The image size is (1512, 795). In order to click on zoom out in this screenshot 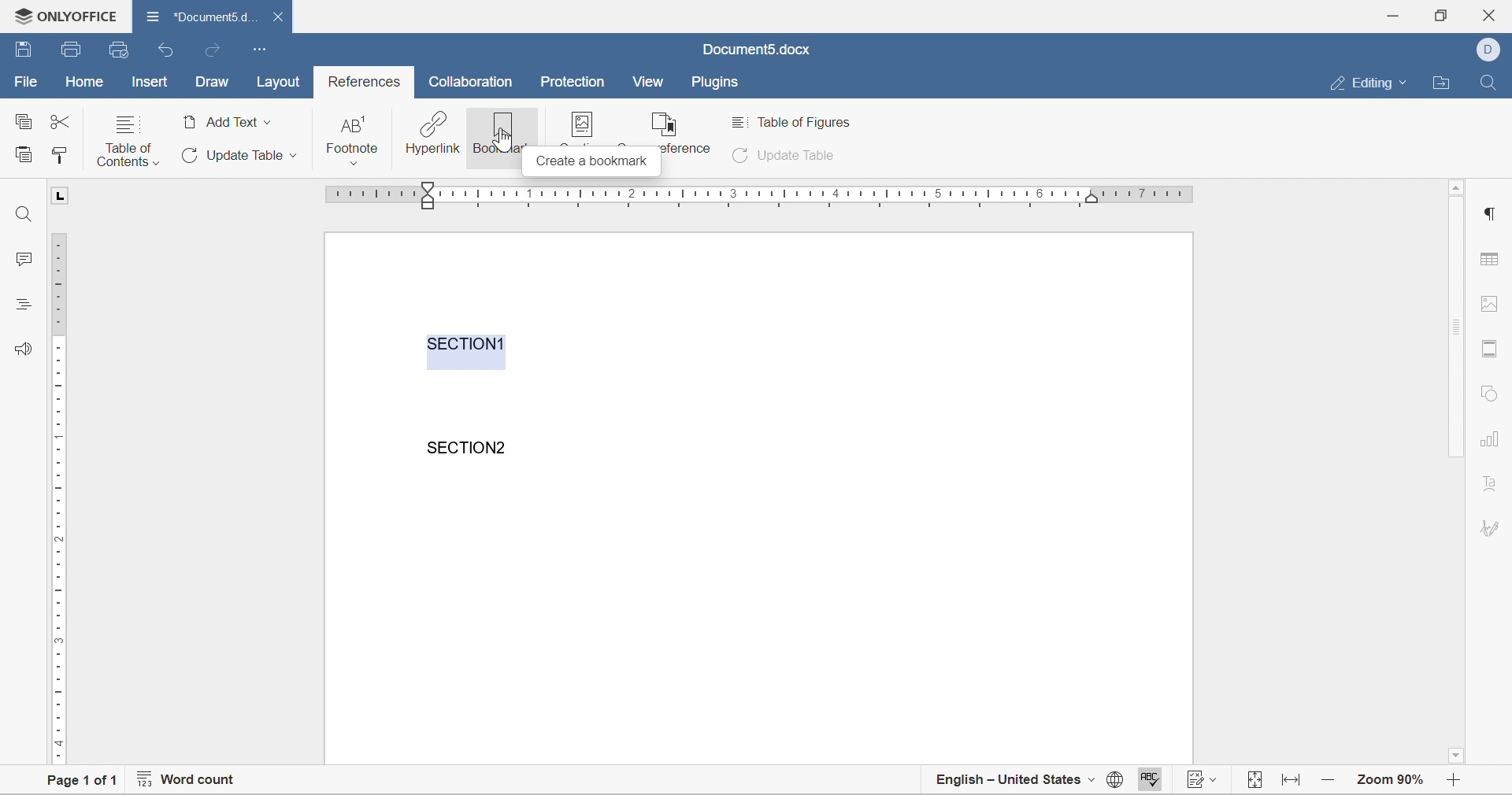, I will do `click(1458, 782)`.